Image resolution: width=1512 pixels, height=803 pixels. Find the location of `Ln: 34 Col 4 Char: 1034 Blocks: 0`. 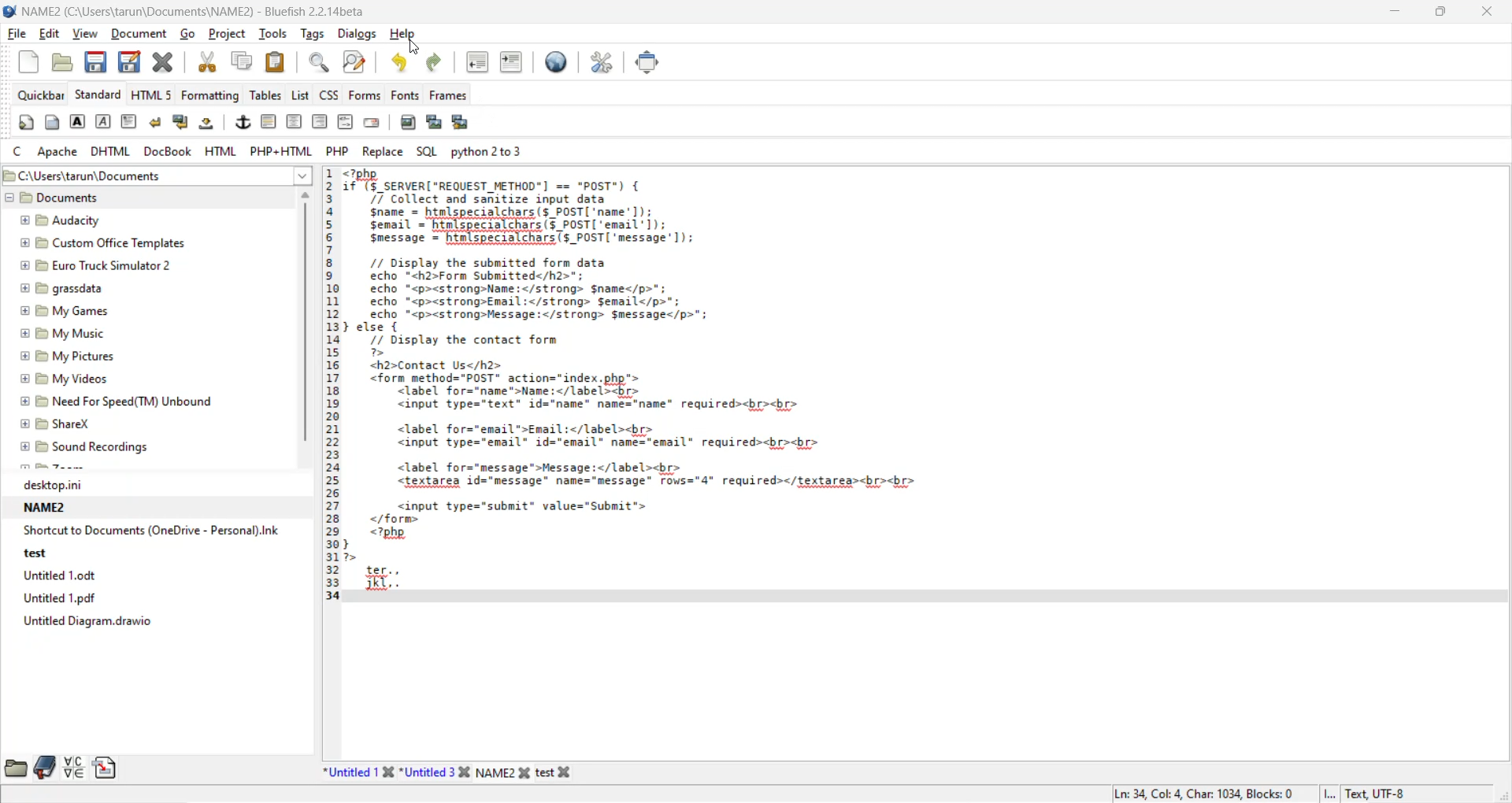

Ln: 34 Col 4 Char: 1034 Blocks: 0 is located at coordinates (1192, 791).